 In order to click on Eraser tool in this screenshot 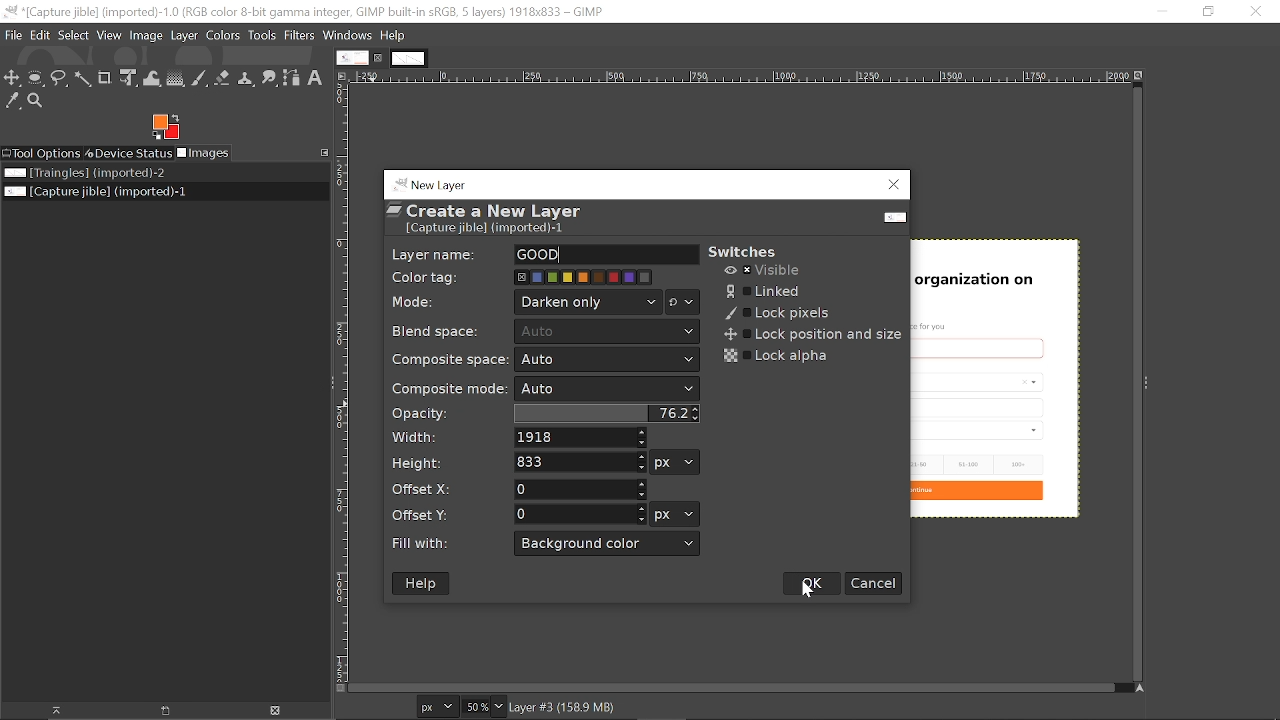, I will do `click(224, 78)`.